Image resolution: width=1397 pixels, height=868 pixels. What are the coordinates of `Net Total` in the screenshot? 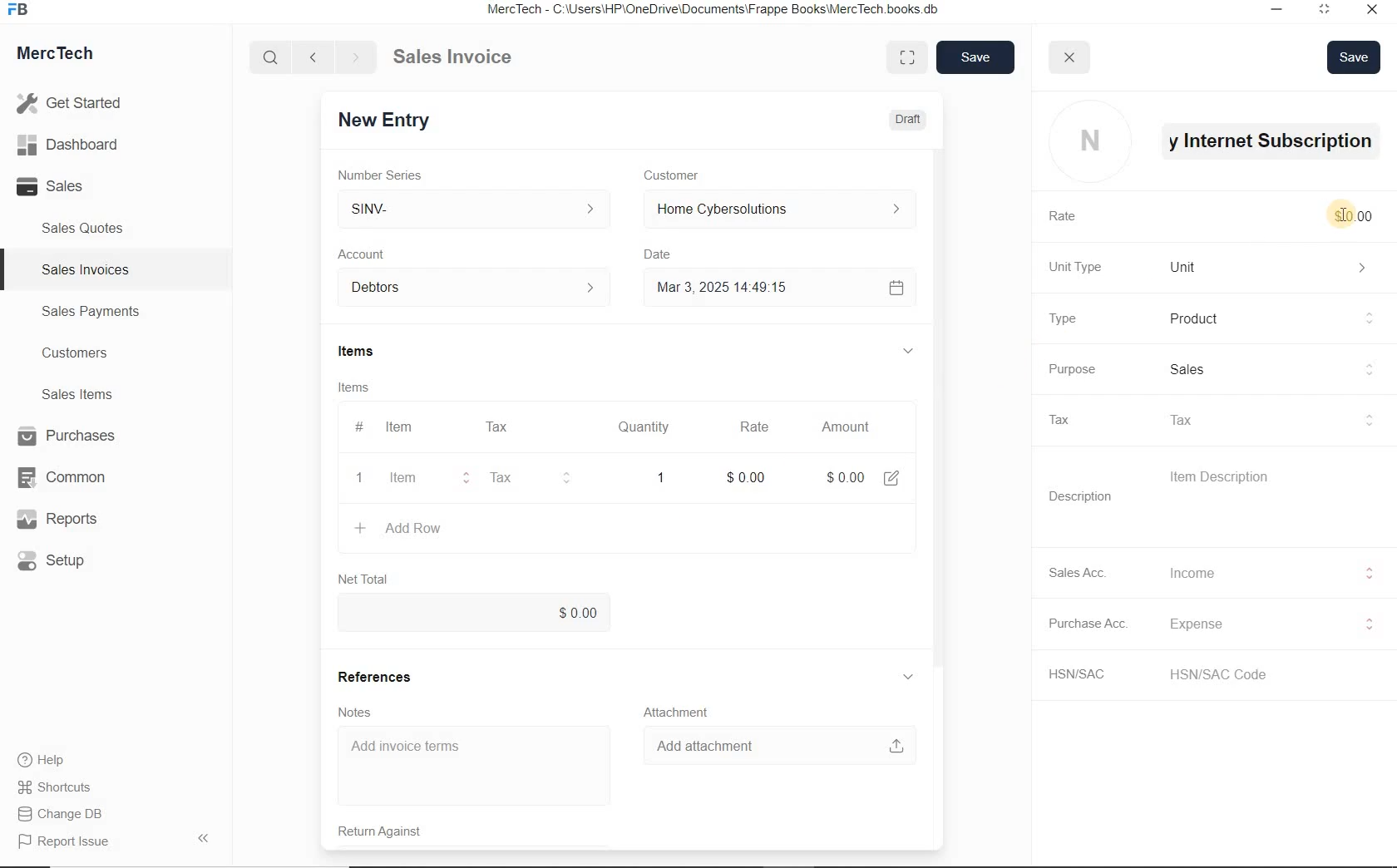 It's located at (362, 579).